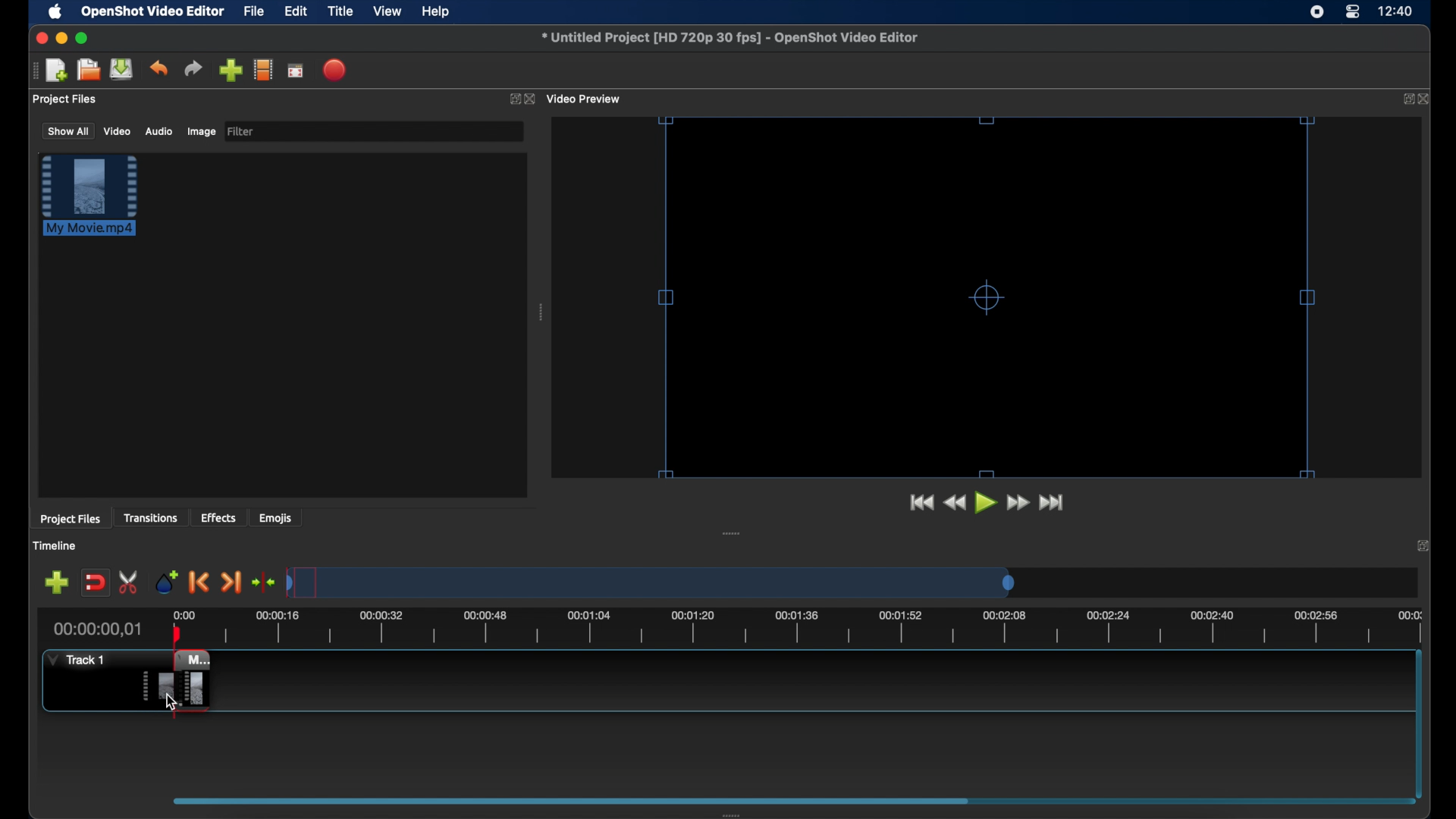 This screenshot has height=819, width=1456. What do you see at coordinates (182, 613) in the screenshot?
I see `0.00` at bounding box center [182, 613].